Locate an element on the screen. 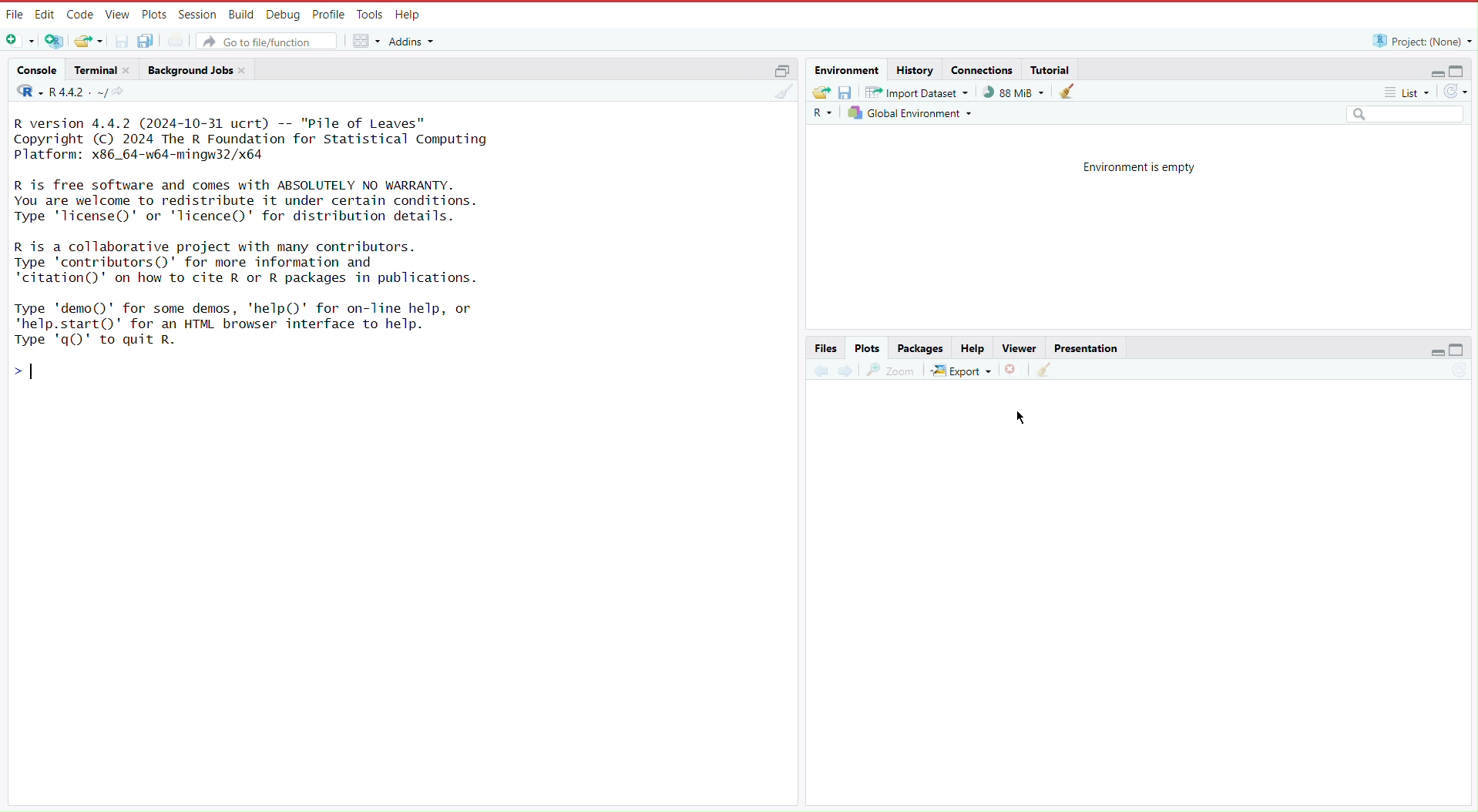 This screenshot has width=1478, height=812. Clear console (Ctrl +L) is located at coordinates (1043, 370).